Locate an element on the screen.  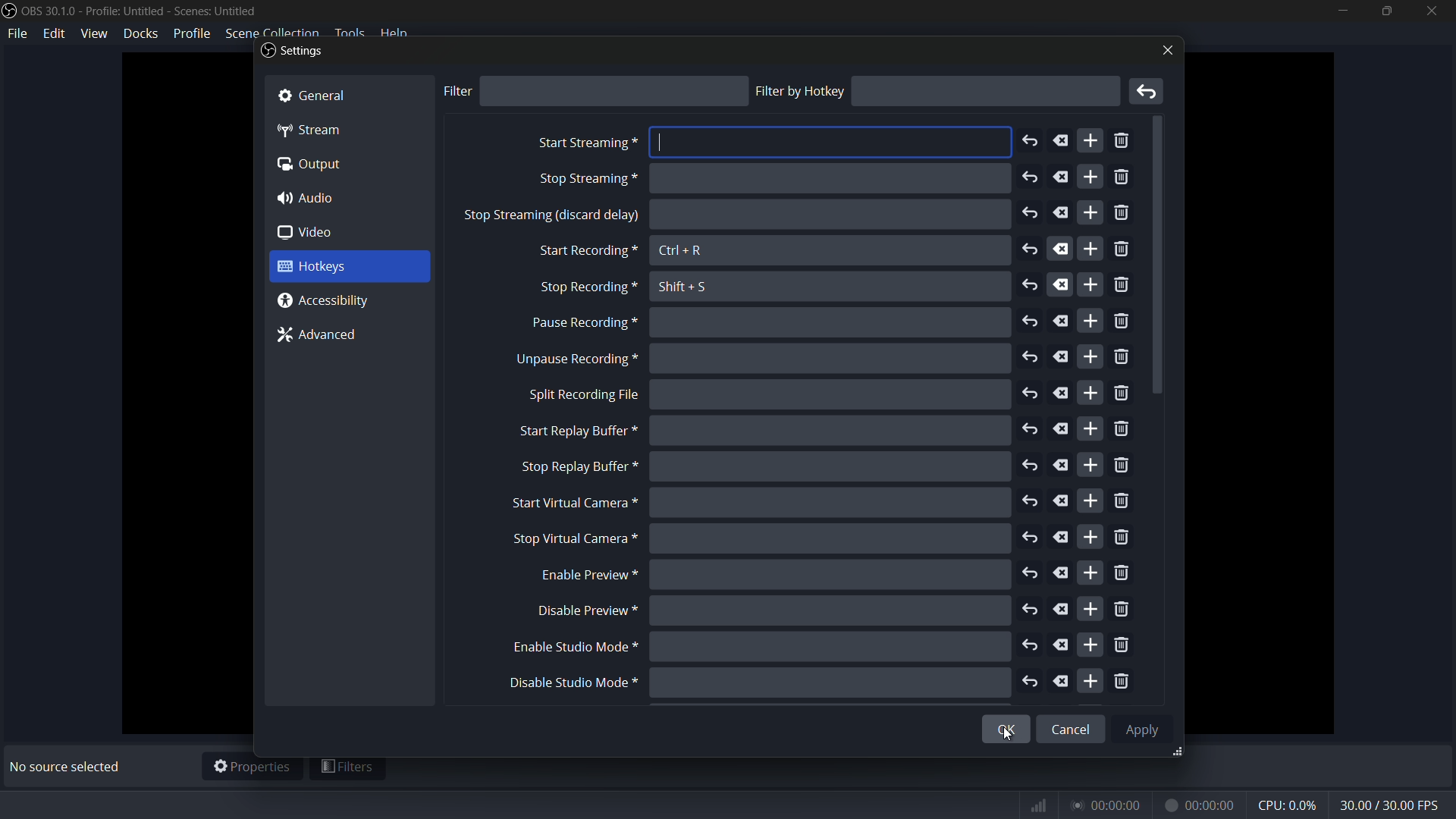
remove is located at coordinates (1123, 466).